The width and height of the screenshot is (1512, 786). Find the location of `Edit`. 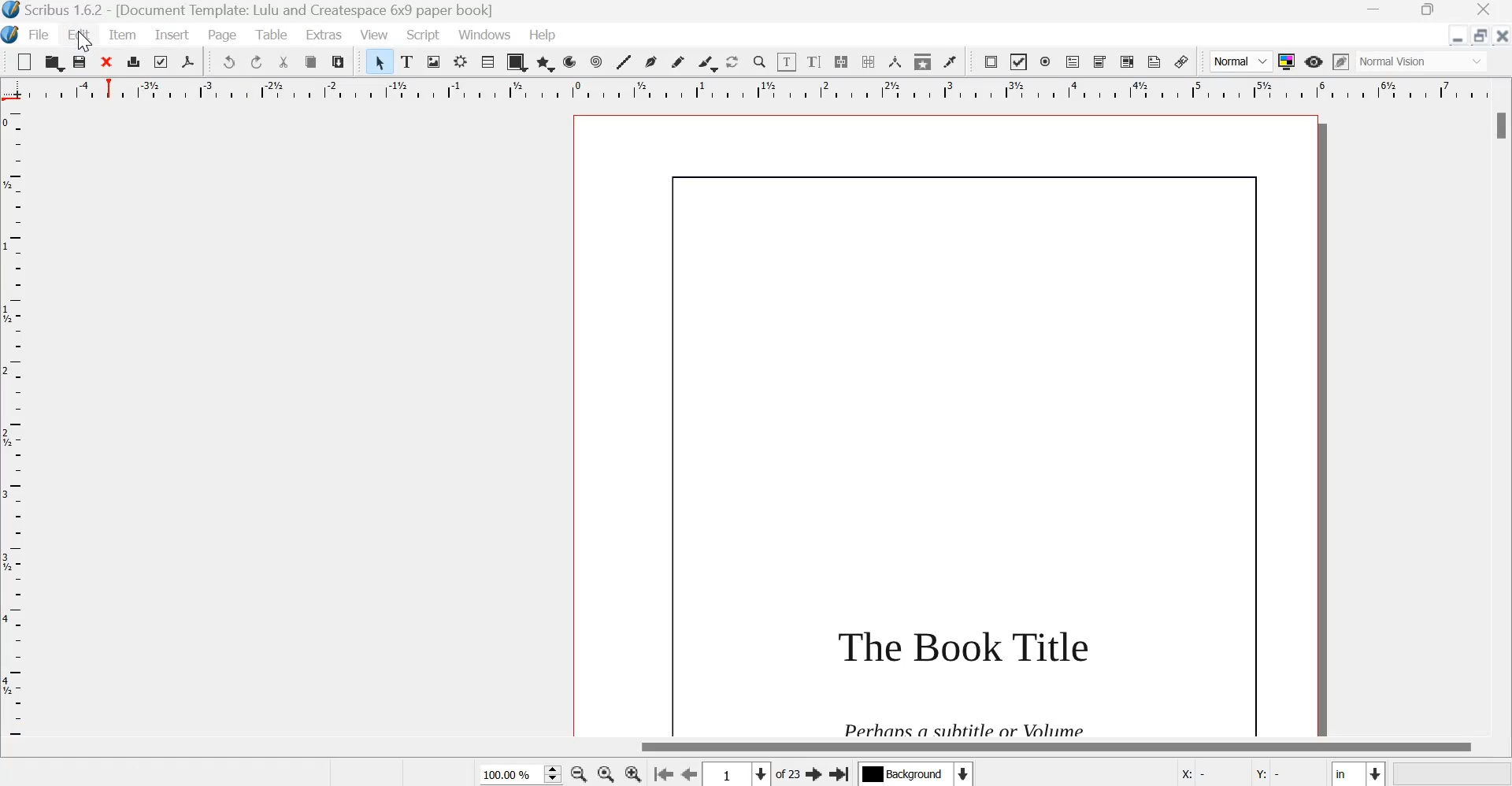

Edit is located at coordinates (79, 35).